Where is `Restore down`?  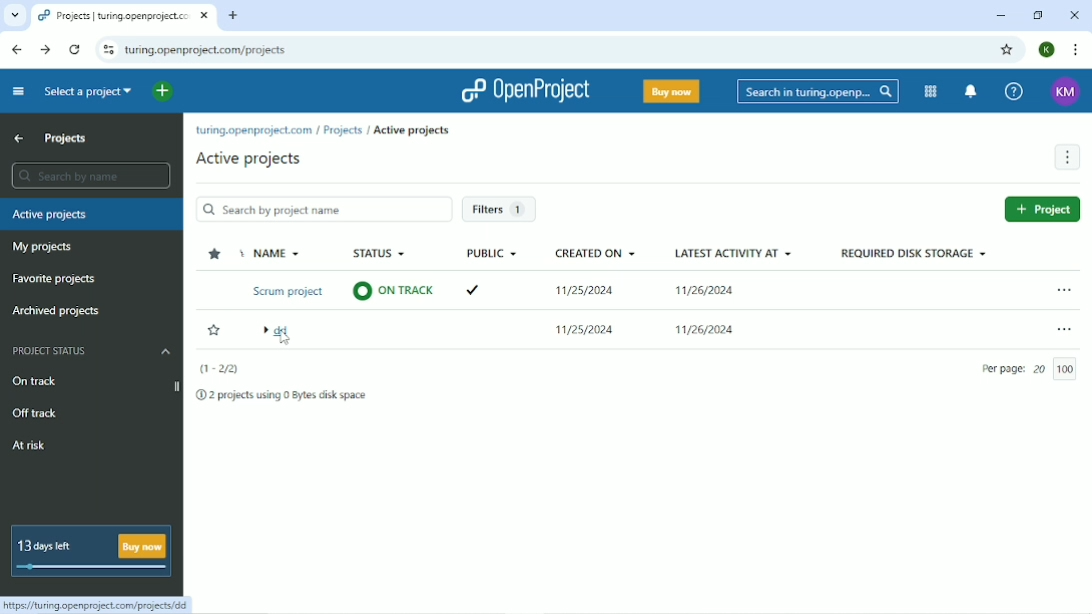
Restore down is located at coordinates (1038, 16).